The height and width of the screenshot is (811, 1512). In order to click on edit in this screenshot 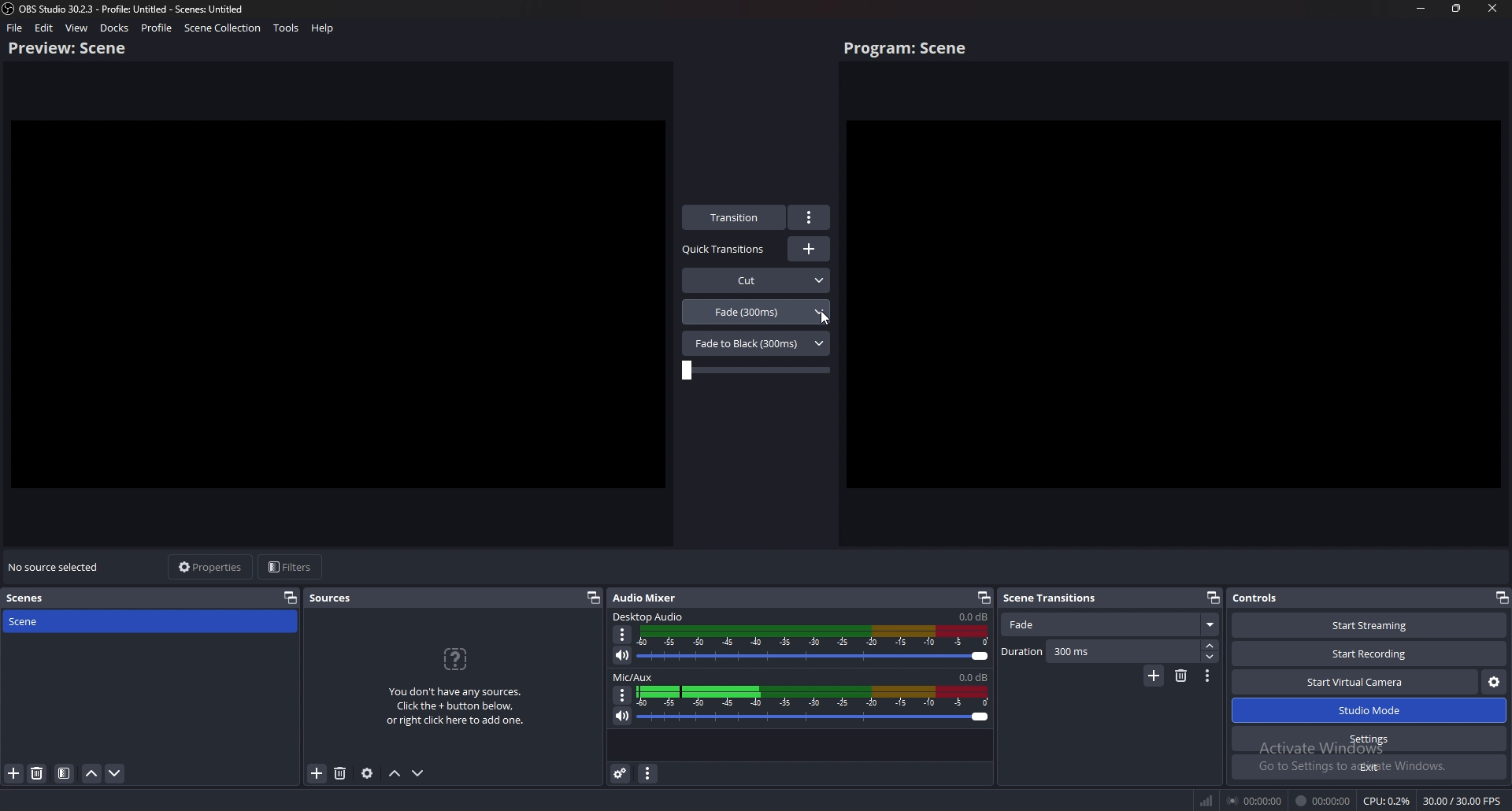, I will do `click(45, 28)`.